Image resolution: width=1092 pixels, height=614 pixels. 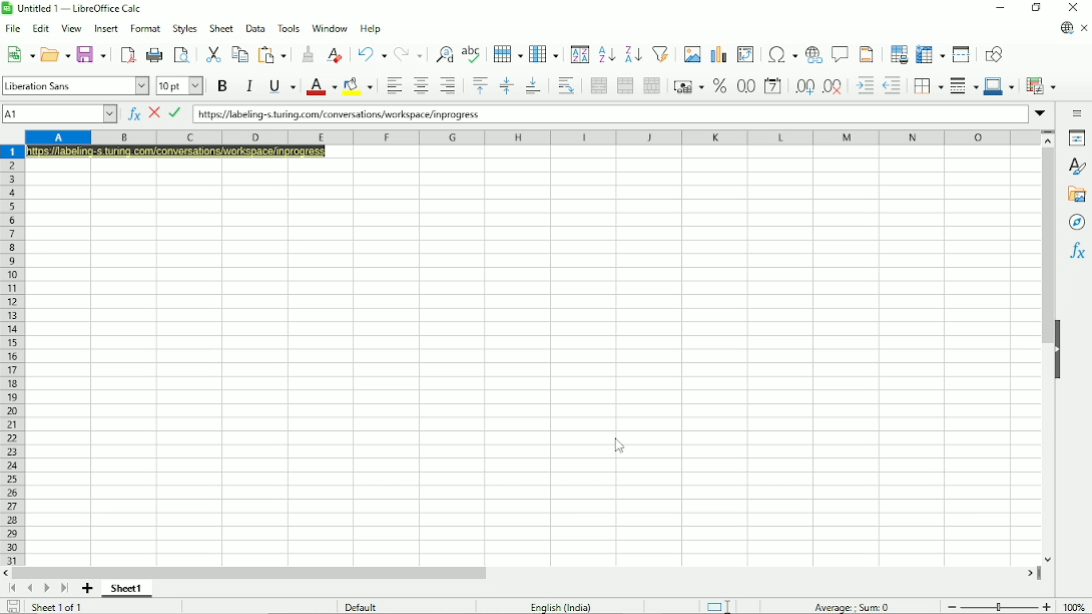 What do you see at coordinates (814, 57) in the screenshot?
I see `Insert hyperlink` at bounding box center [814, 57].